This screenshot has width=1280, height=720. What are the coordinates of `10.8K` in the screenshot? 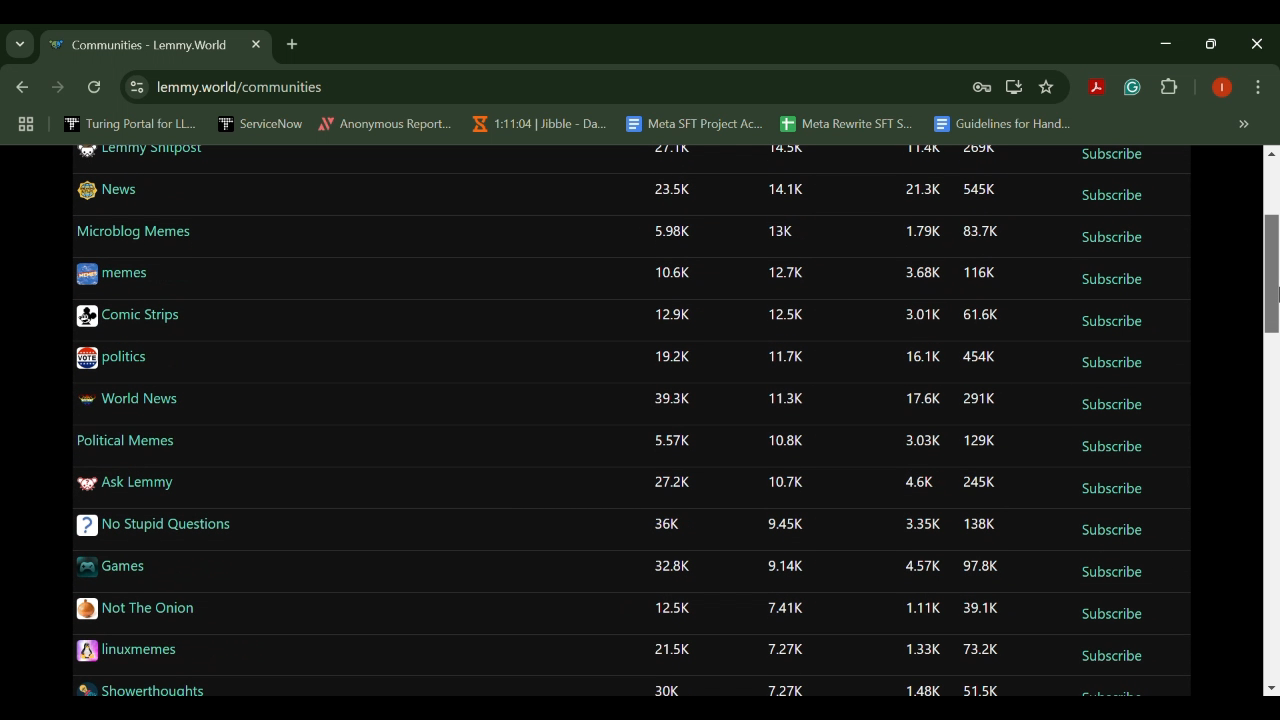 It's located at (783, 439).